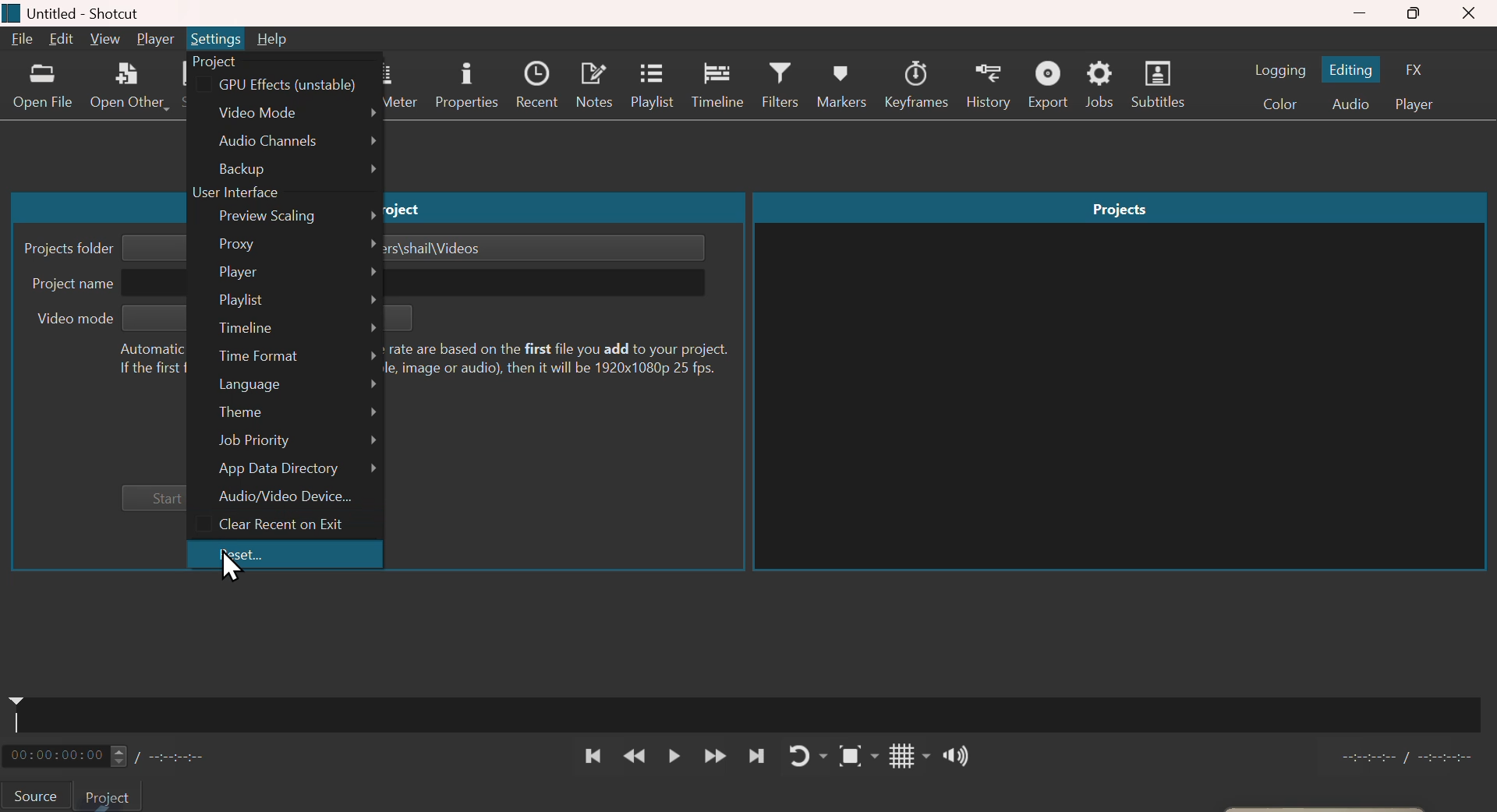 This screenshot has width=1497, height=812. Describe the element at coordinates (156, 39) in the screenshot. I see `Player` at that location.